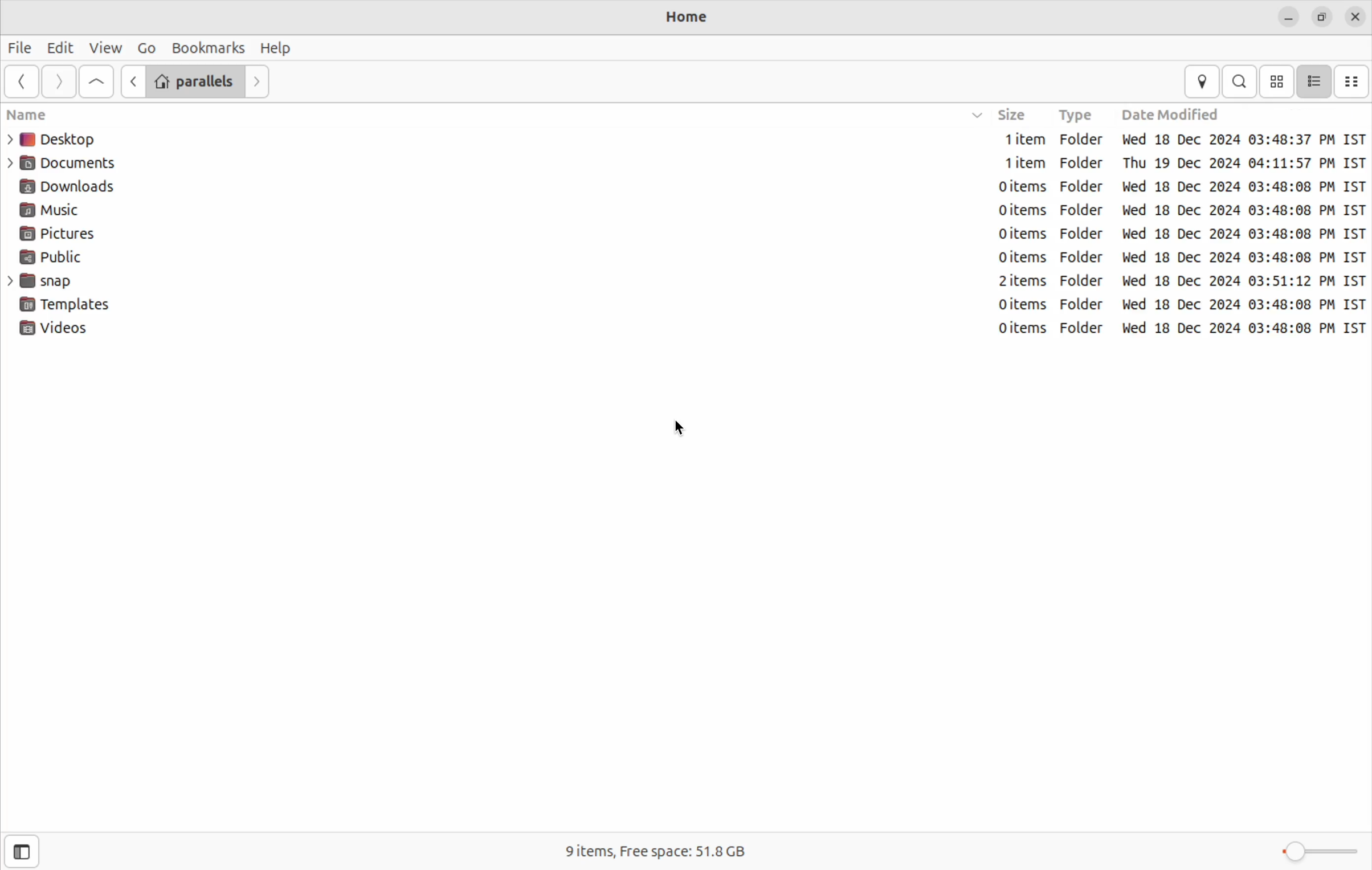 This screenshot has height=870, width=1372. Describe the element at coordinates (999, 115) in the screenshot. I see `Size` at that location.